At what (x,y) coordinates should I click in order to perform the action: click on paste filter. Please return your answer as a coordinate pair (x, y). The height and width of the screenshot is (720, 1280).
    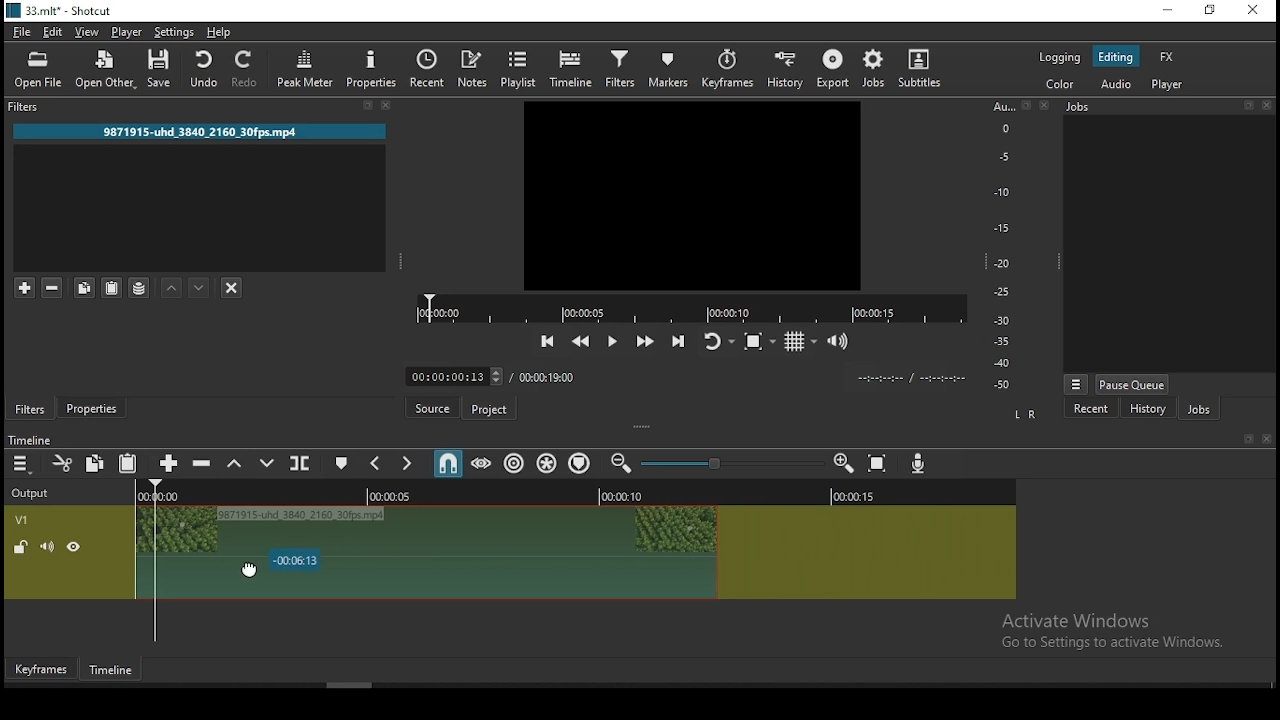
    Looking at the image, I should click on (110, 289).